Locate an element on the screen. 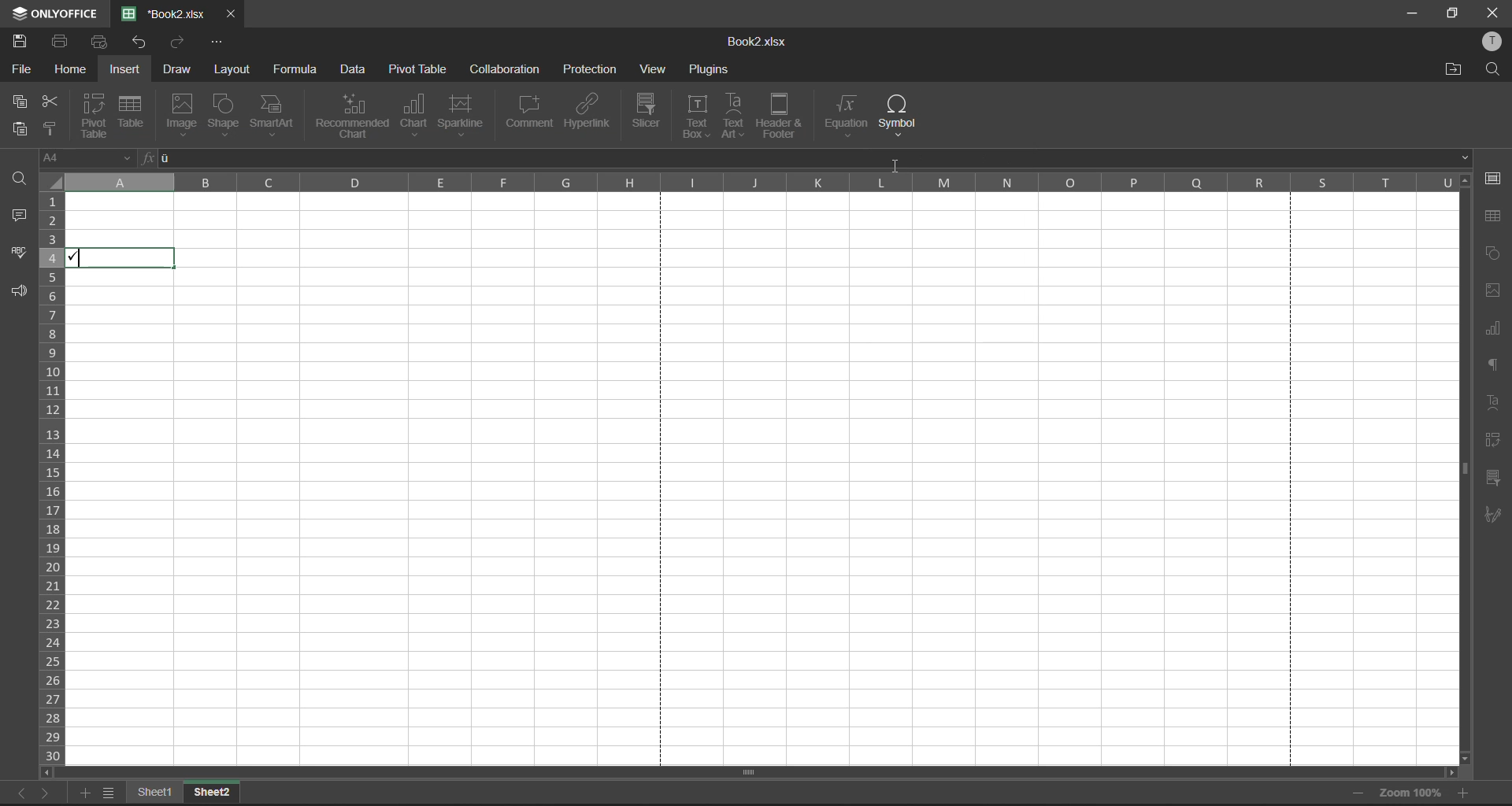 The image size is (1512, 806). draw is located at coordinates (178, 72).